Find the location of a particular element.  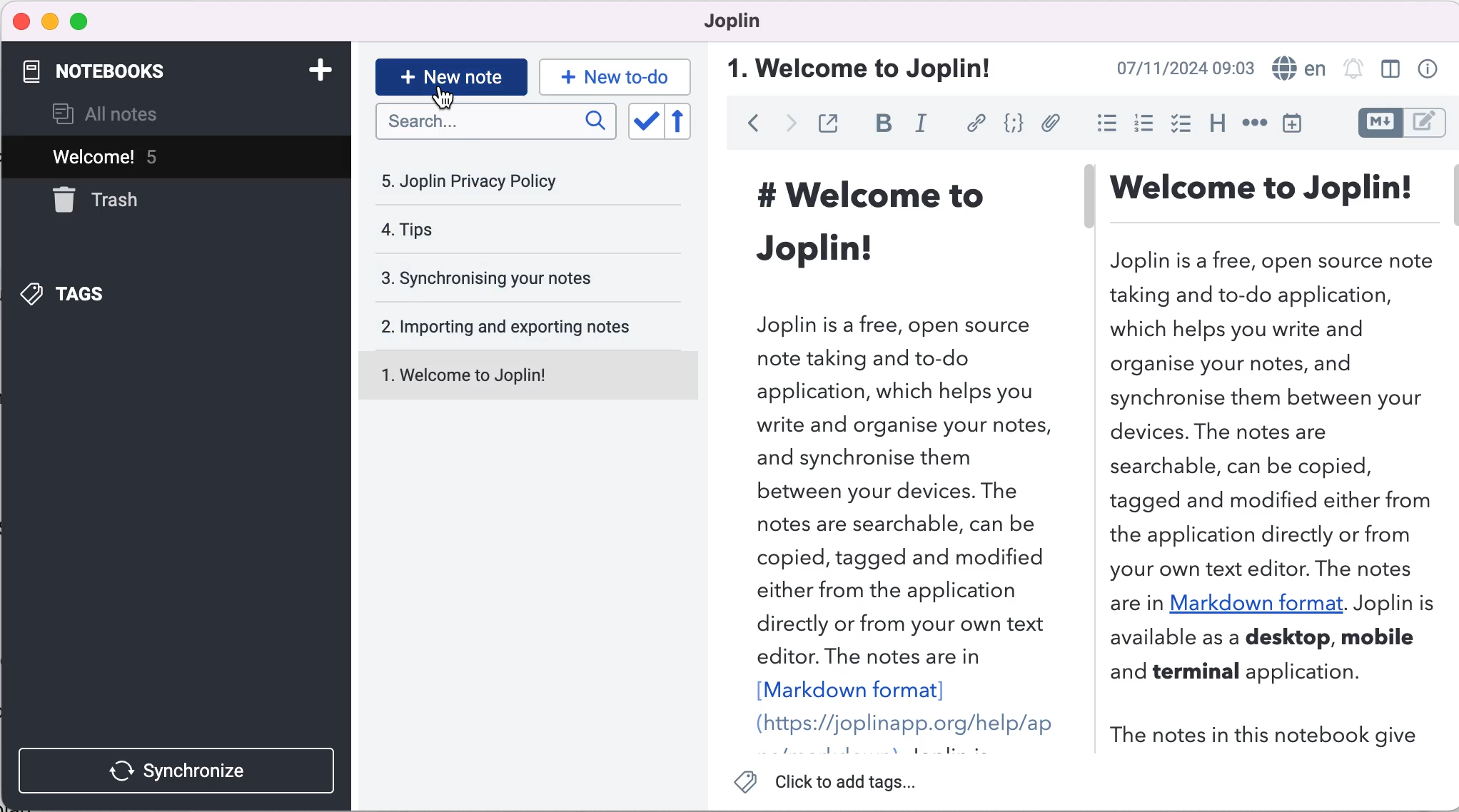

all notes is located at coordinates (118, 116).